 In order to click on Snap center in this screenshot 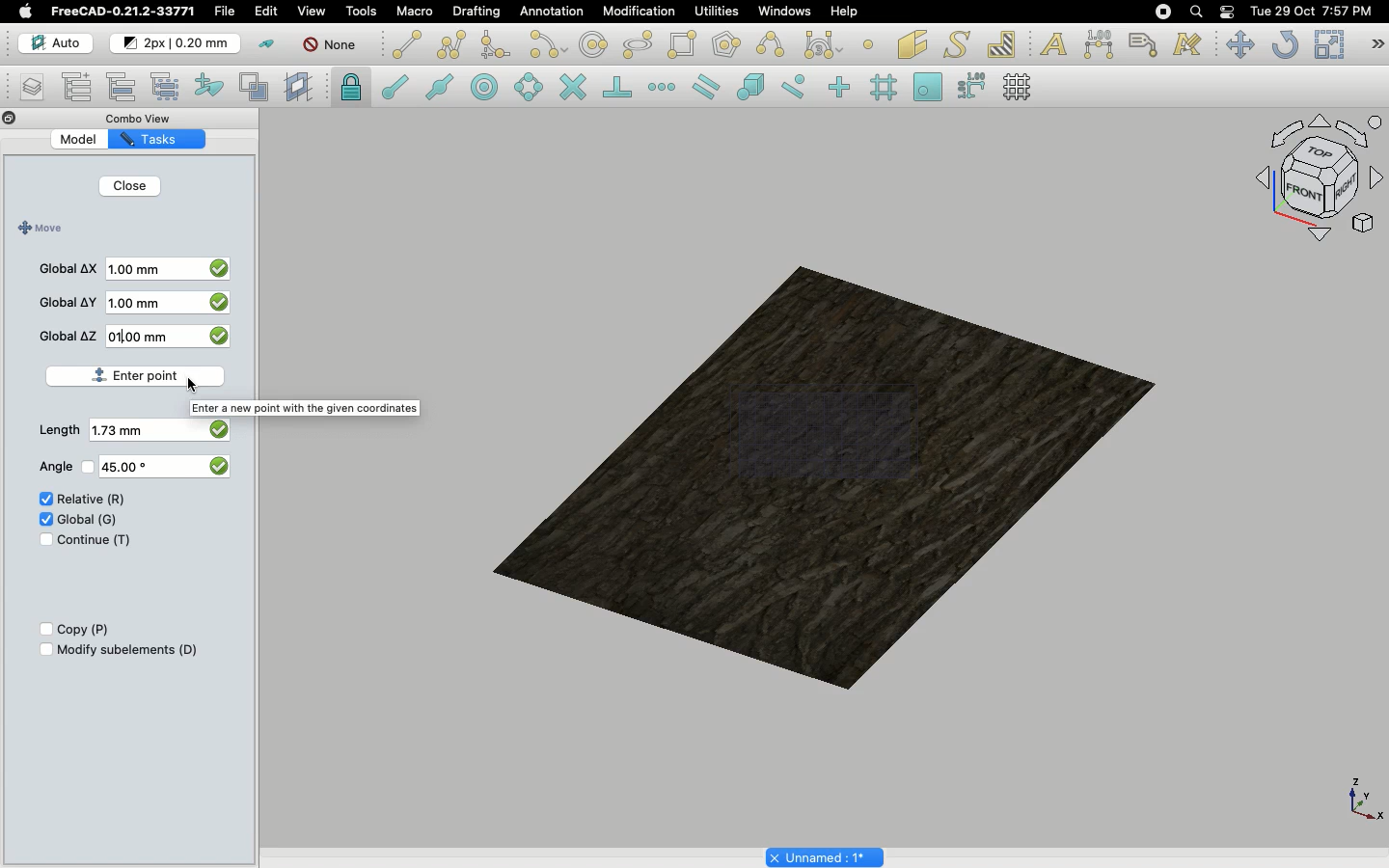, I will do `click(490, 86)`.